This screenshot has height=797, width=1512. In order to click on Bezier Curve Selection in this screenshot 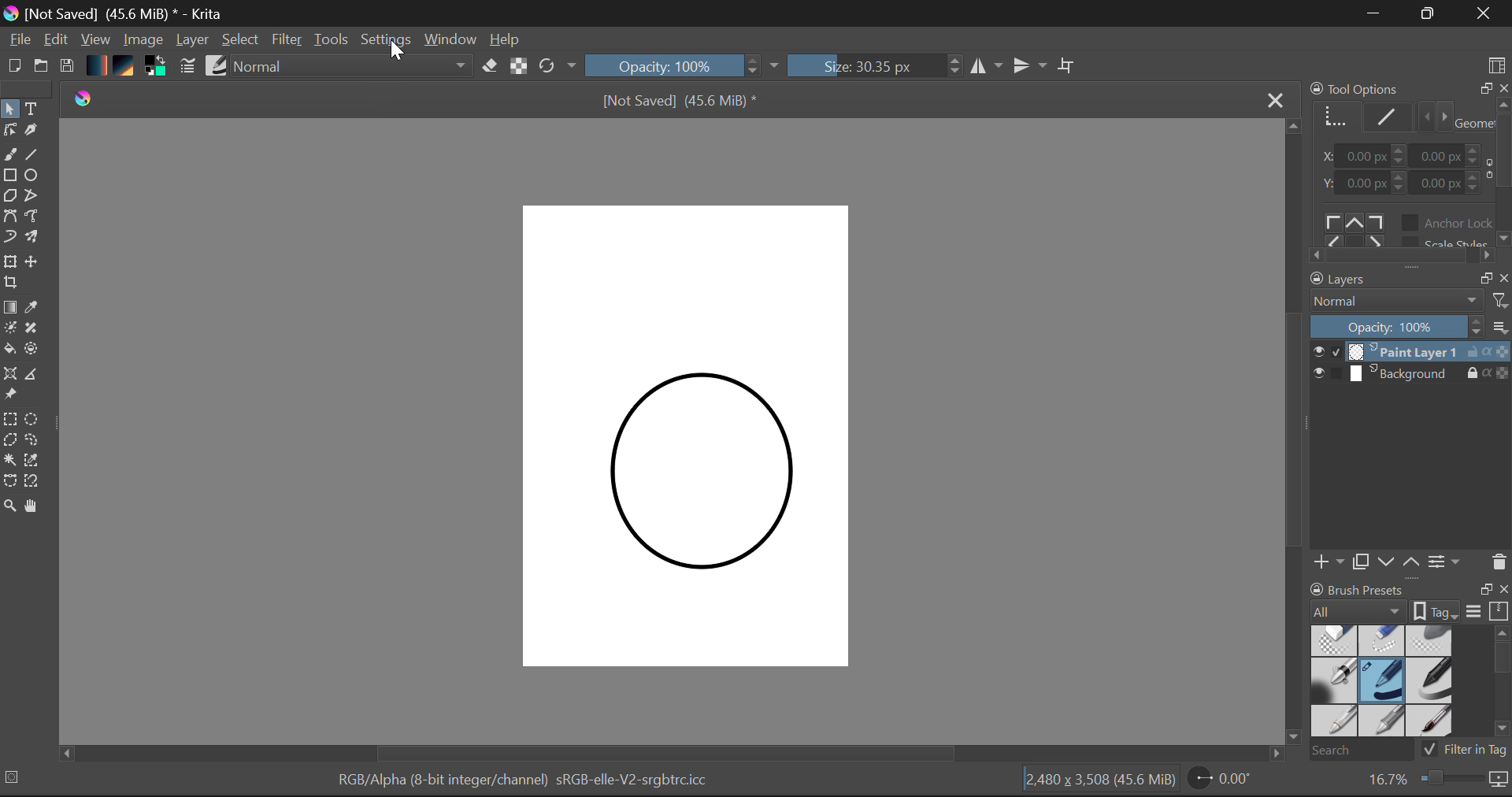, I will do `click(9, 480)`.